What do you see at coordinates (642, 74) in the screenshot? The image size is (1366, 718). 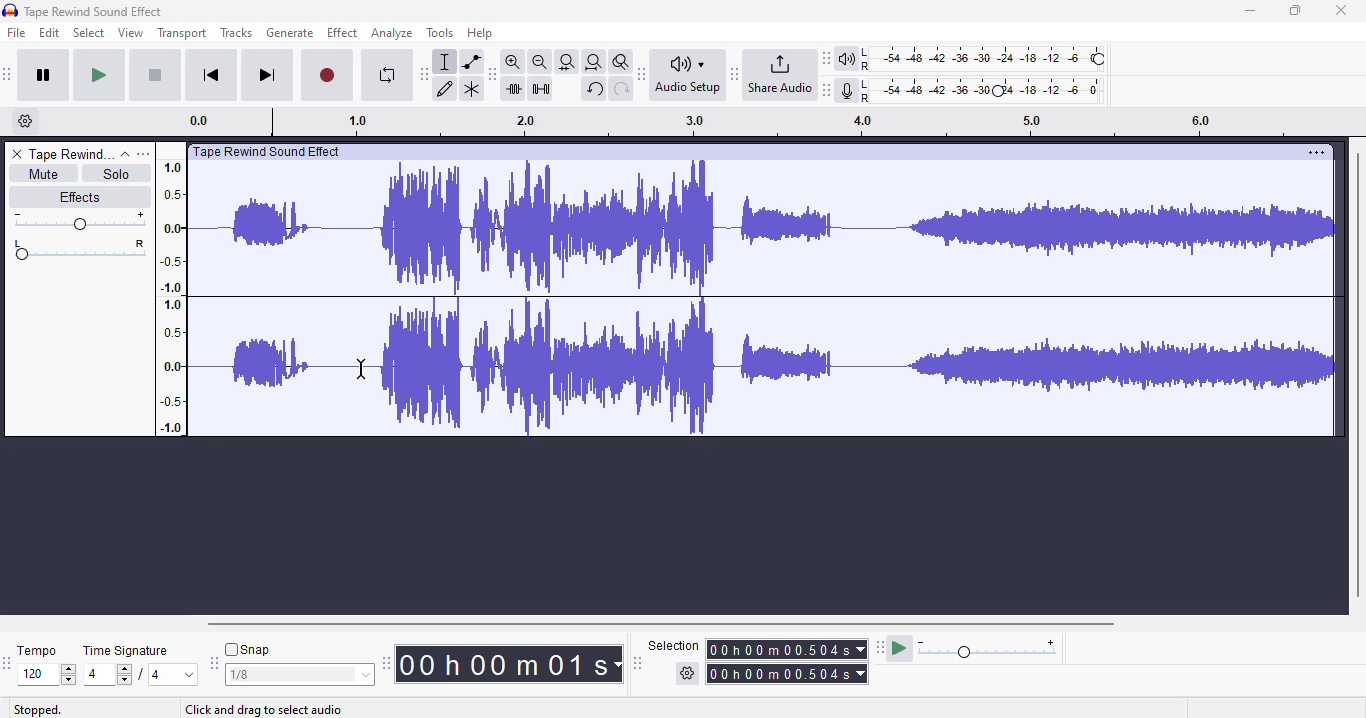 I see `audacity audio setup toolbar` at bounding box center [642, 74].